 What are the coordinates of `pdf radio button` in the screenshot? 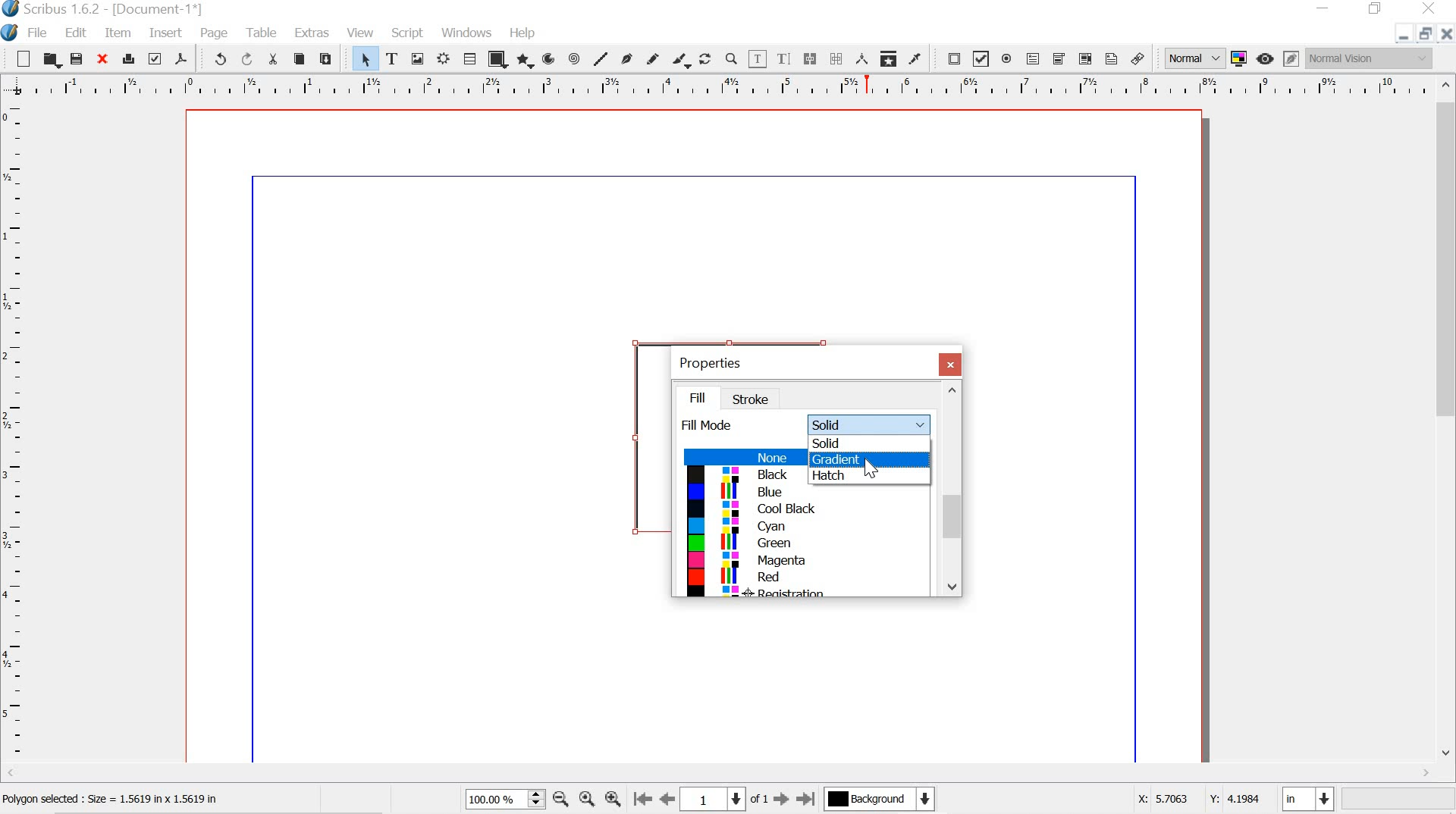 It's located at (1009, 59).